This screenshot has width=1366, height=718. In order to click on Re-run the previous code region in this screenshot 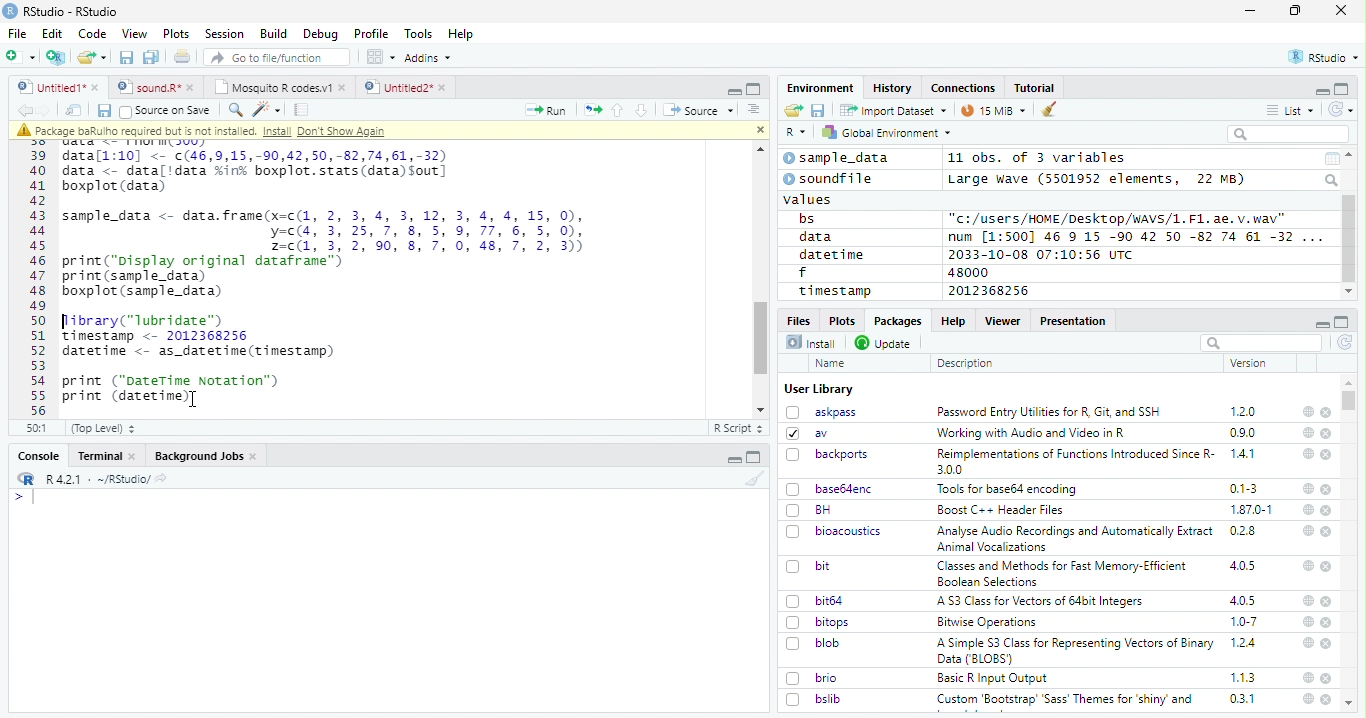, I will do `click(591, 111)`.